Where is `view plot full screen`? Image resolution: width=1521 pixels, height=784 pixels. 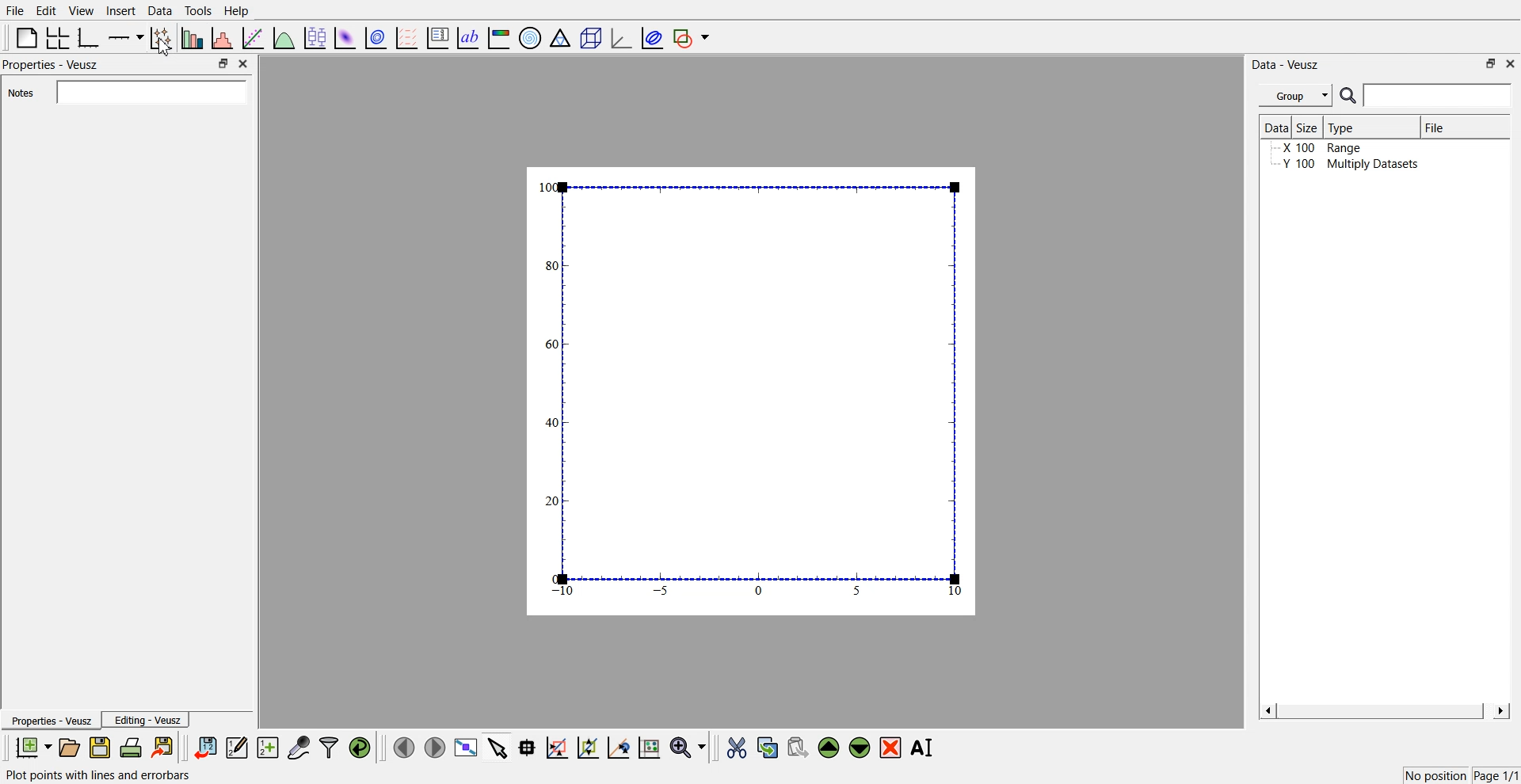
view plot full screen is located at coordinates (465, 748).